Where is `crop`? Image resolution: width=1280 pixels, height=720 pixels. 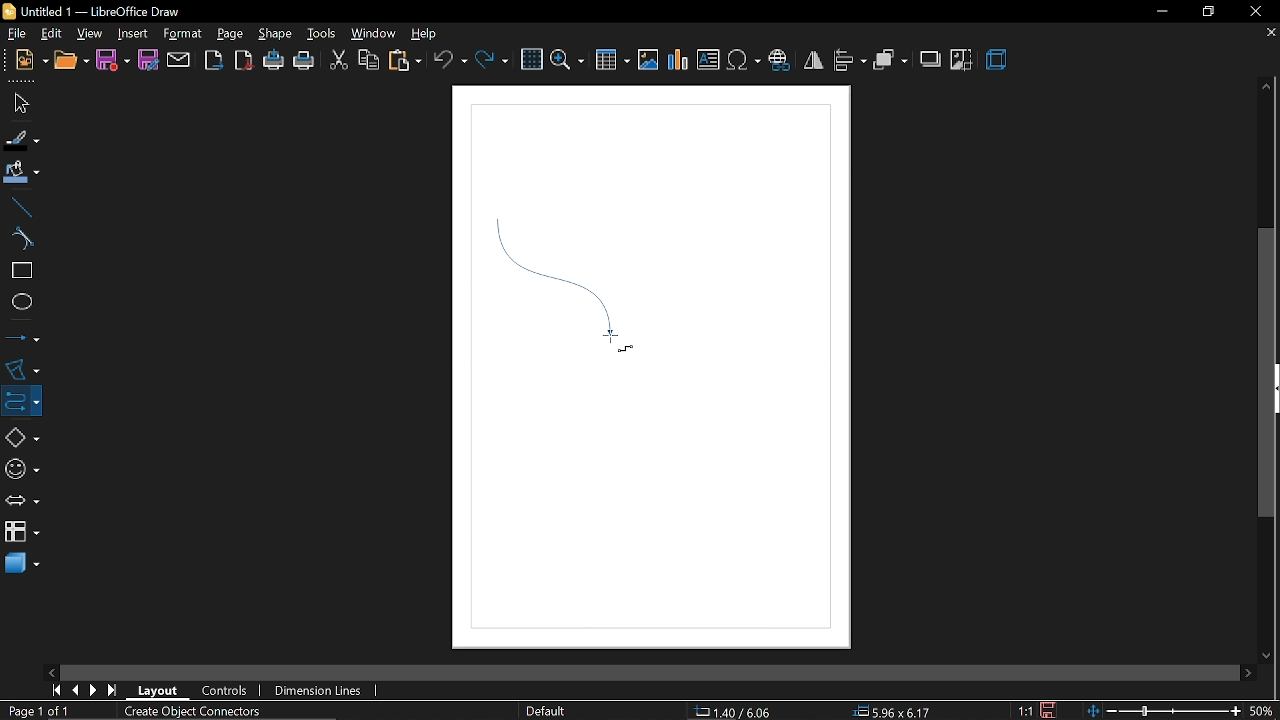 crop is located at coordinates (962, 60).